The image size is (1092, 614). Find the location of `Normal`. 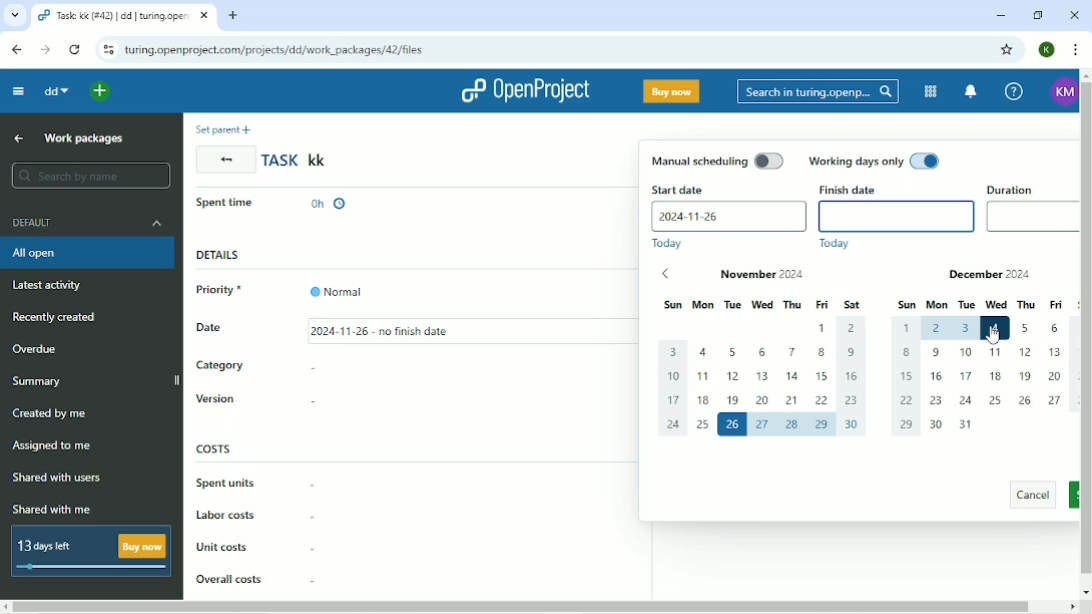

Normal is located at coordinates (339, 286).